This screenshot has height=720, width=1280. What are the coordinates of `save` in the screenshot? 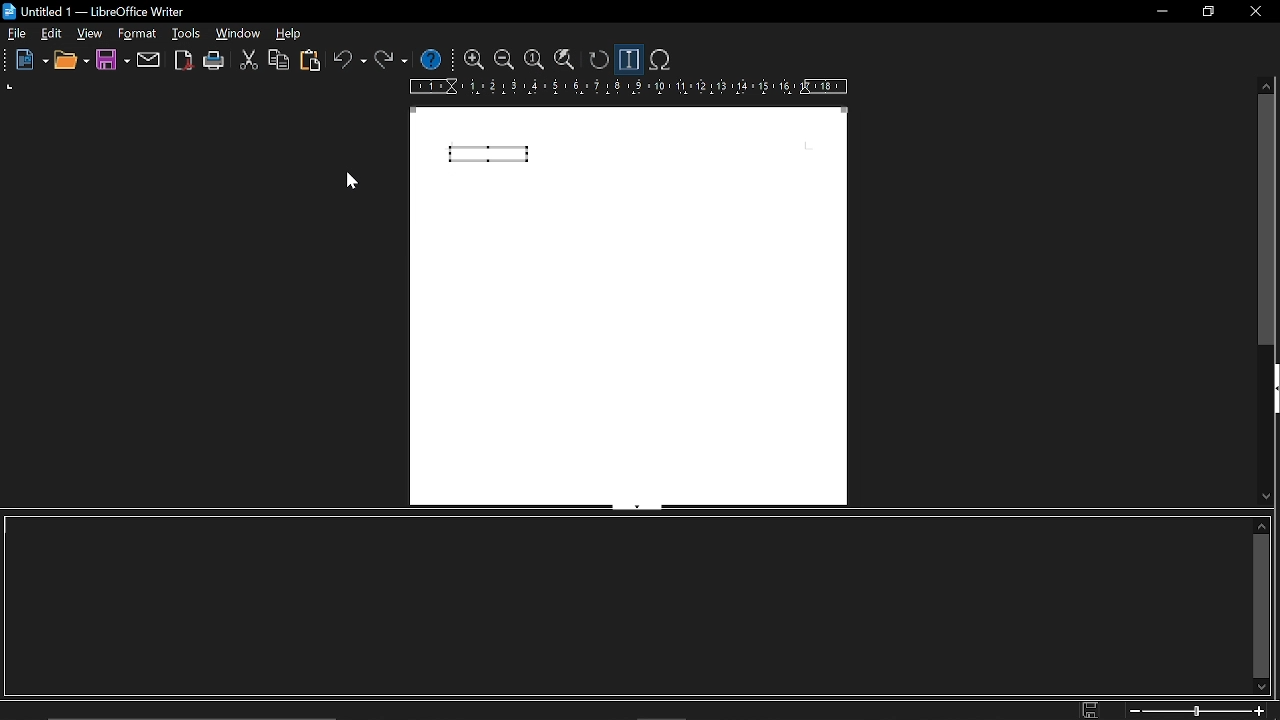 It's located at (1093, 709).